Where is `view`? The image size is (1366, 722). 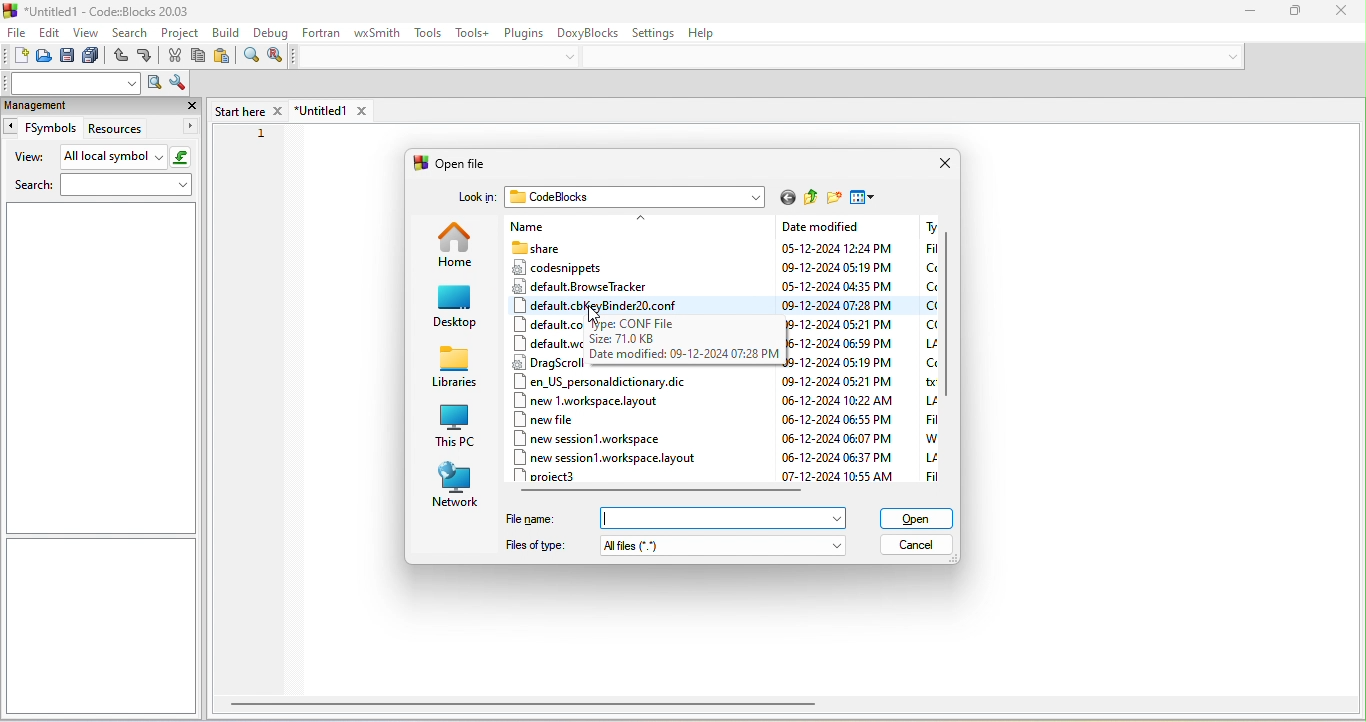 view is located at coordinates (30, 157).